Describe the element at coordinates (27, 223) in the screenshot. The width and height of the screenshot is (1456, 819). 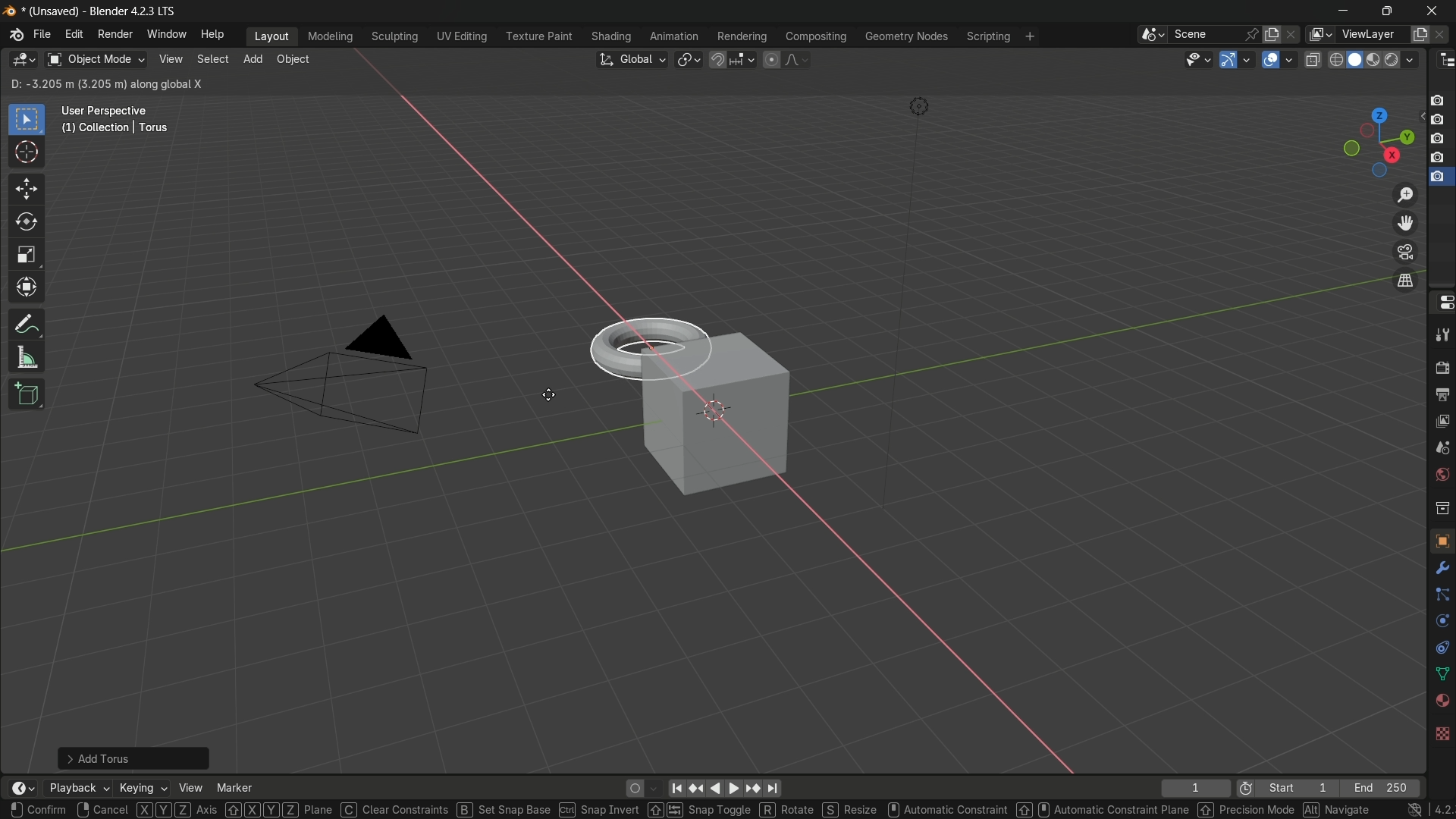
I see `rotate` at that location.